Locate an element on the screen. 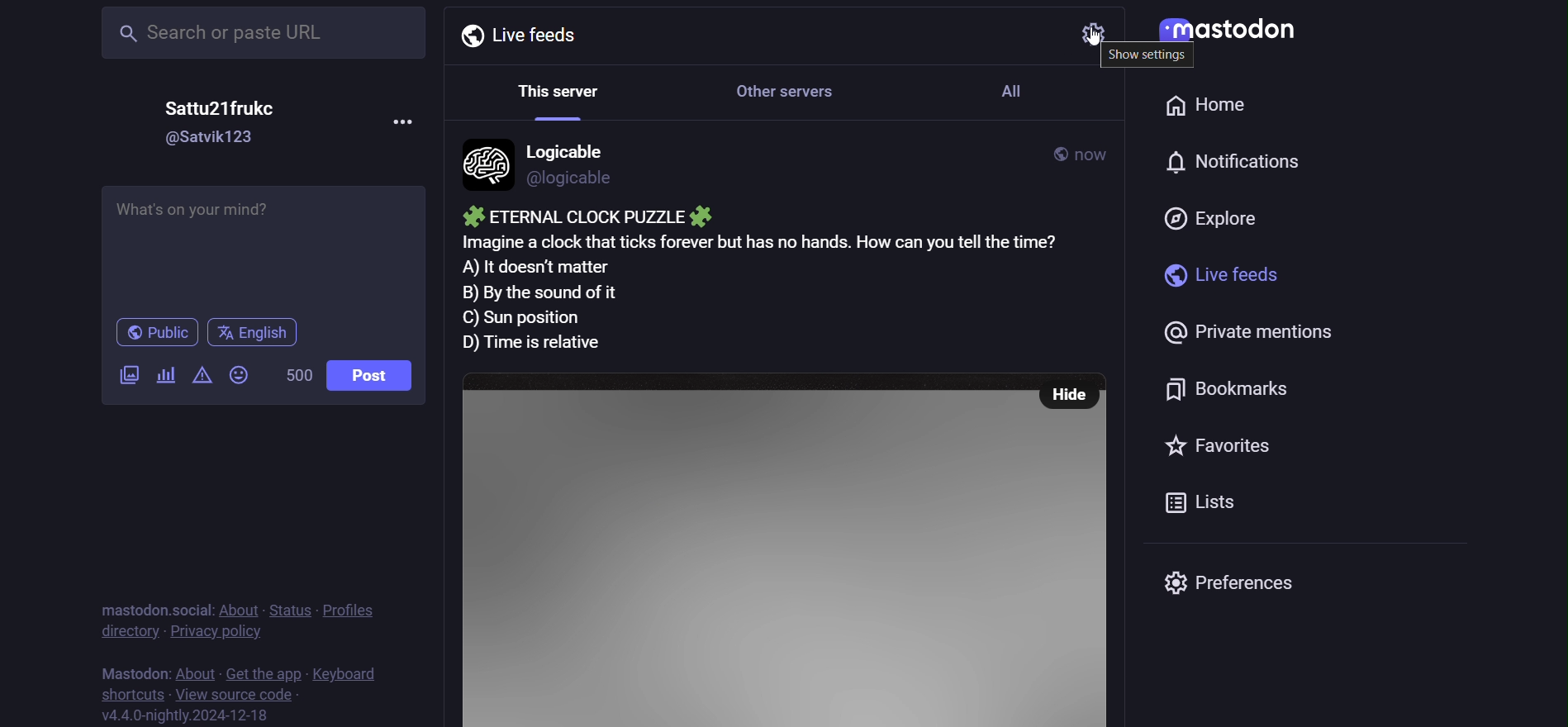 The width and height of the screenshot is (1568, 727). content warning is located at coordinates (200, 377).